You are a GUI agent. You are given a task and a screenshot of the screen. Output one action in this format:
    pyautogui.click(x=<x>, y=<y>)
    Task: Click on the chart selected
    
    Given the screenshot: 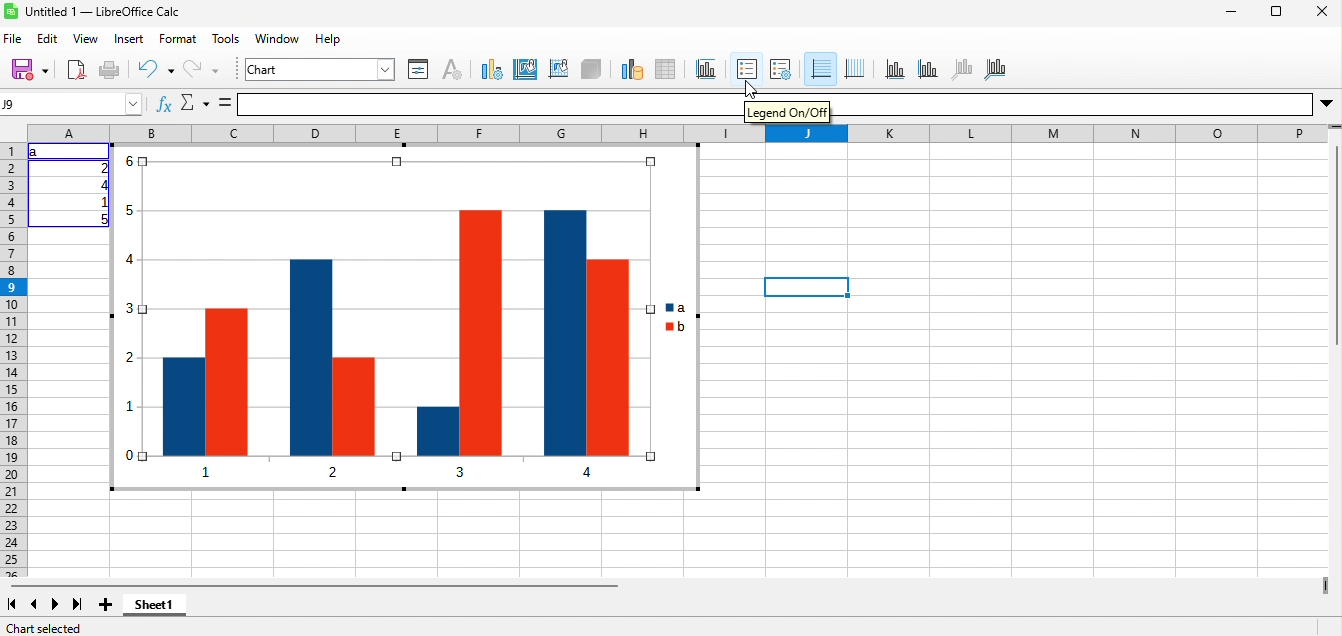 What is the action you would take?
    pyautogui.click(x=44, y=628)
    